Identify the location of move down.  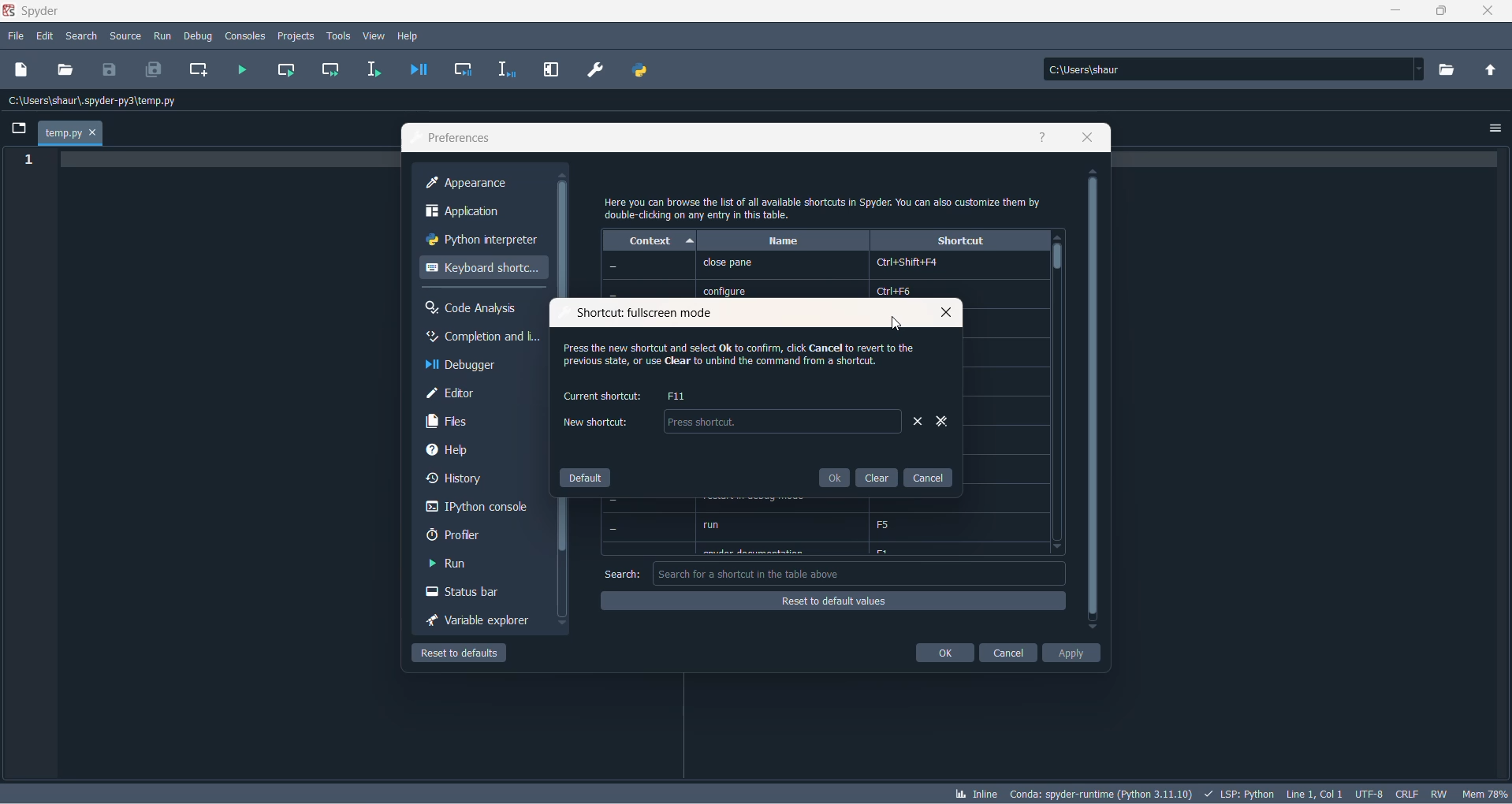
(1092, 628).